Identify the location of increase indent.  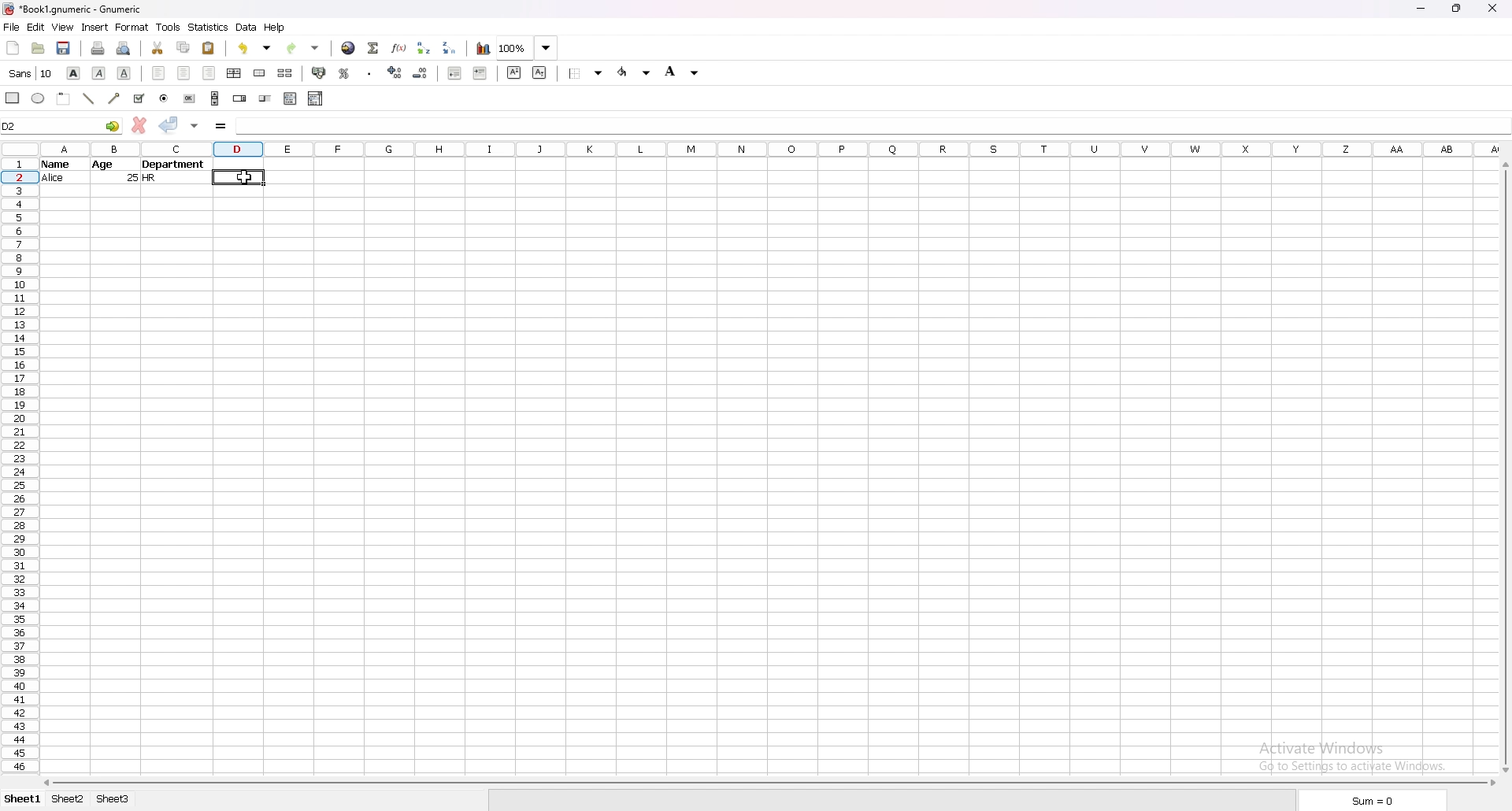
(480, 72).